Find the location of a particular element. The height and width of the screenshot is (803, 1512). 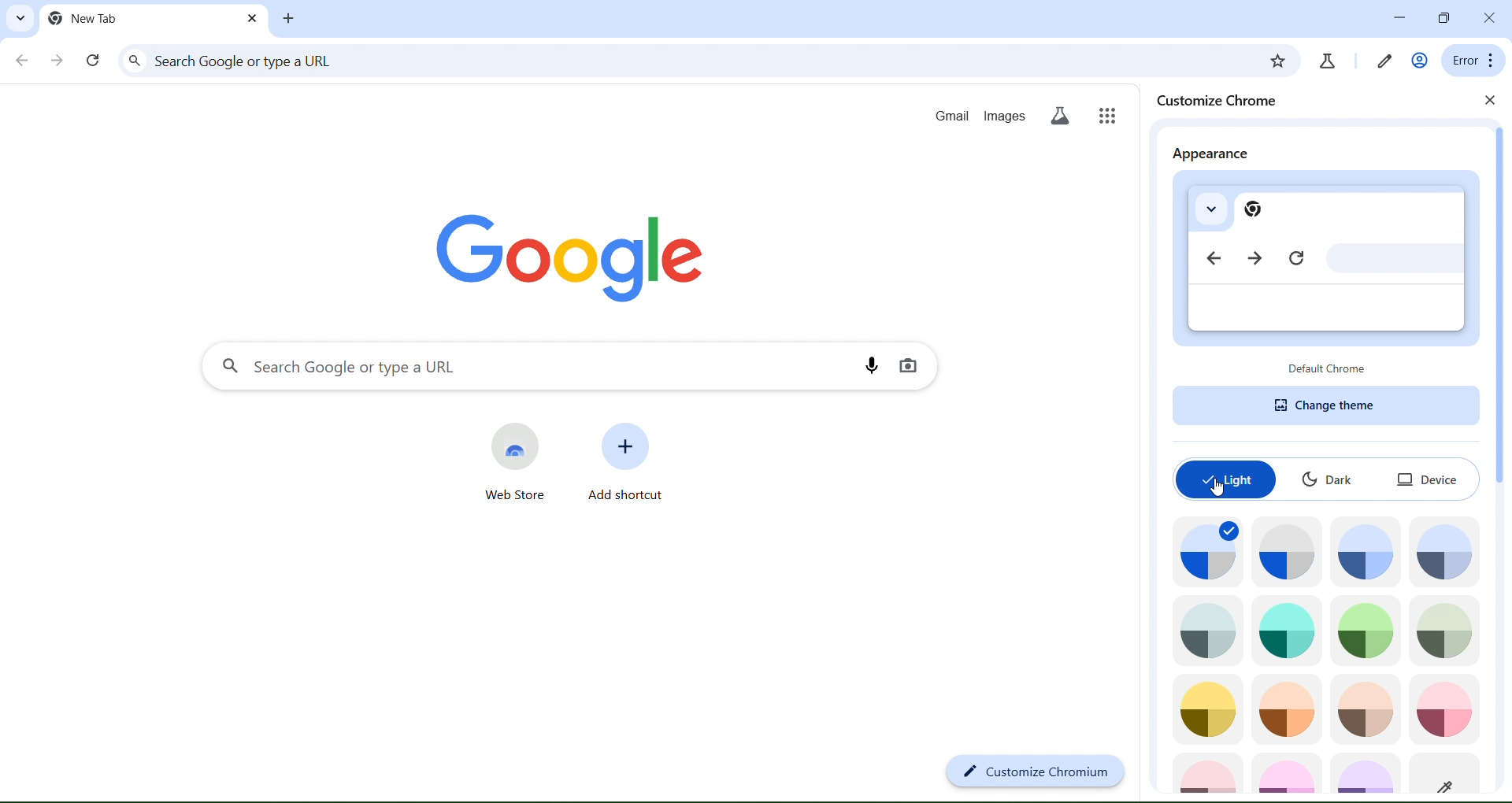

bookmark  page is located at coordinates (1277, 61).